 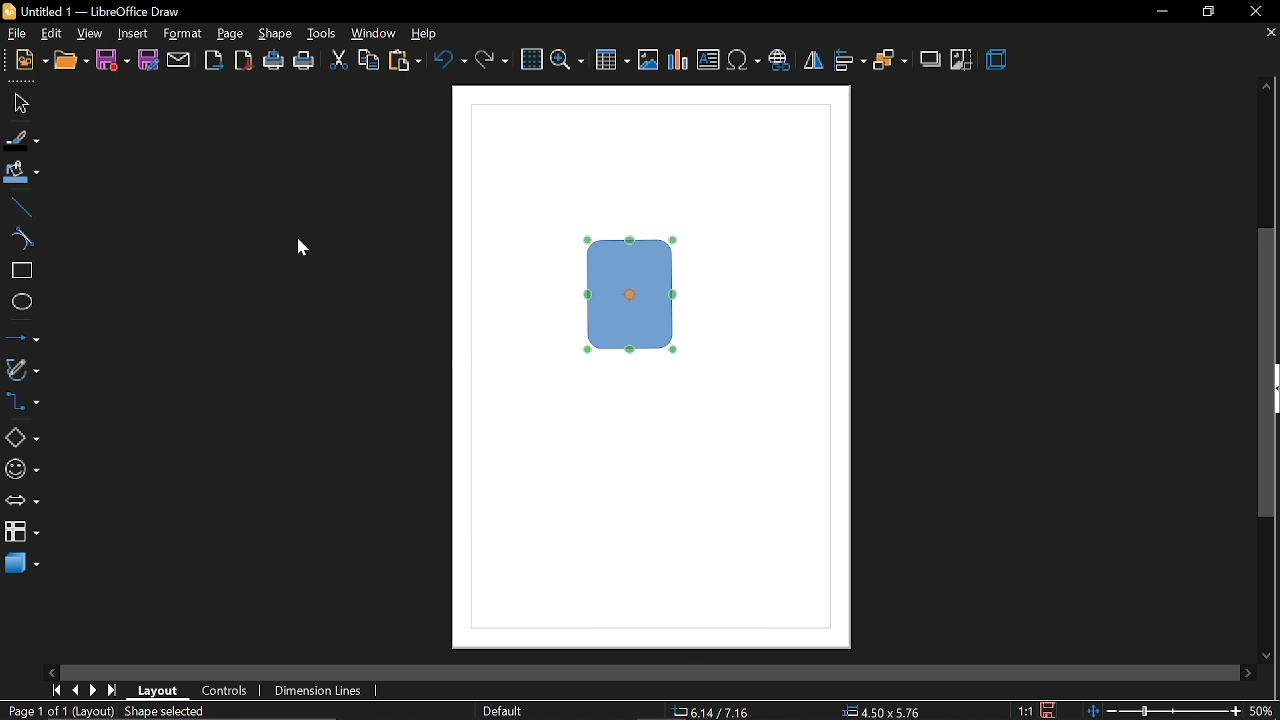 What do you see at coordinates (22, 174) in the screenshot?
I see `fill color` at bounding box center [22, 174].